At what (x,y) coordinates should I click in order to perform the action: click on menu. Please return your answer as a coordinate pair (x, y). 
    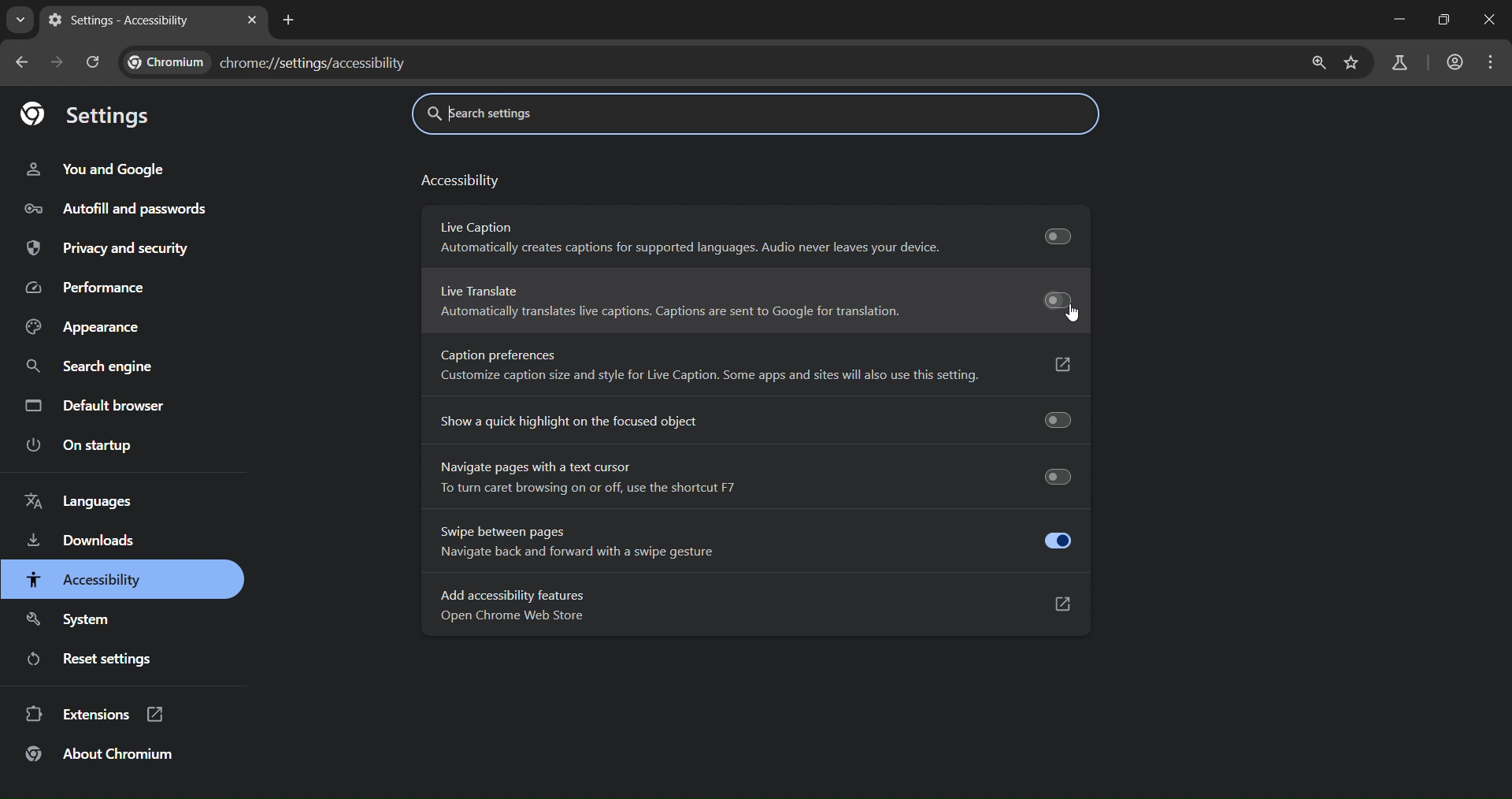
    Looking at the image, I should click on (1494, 61).